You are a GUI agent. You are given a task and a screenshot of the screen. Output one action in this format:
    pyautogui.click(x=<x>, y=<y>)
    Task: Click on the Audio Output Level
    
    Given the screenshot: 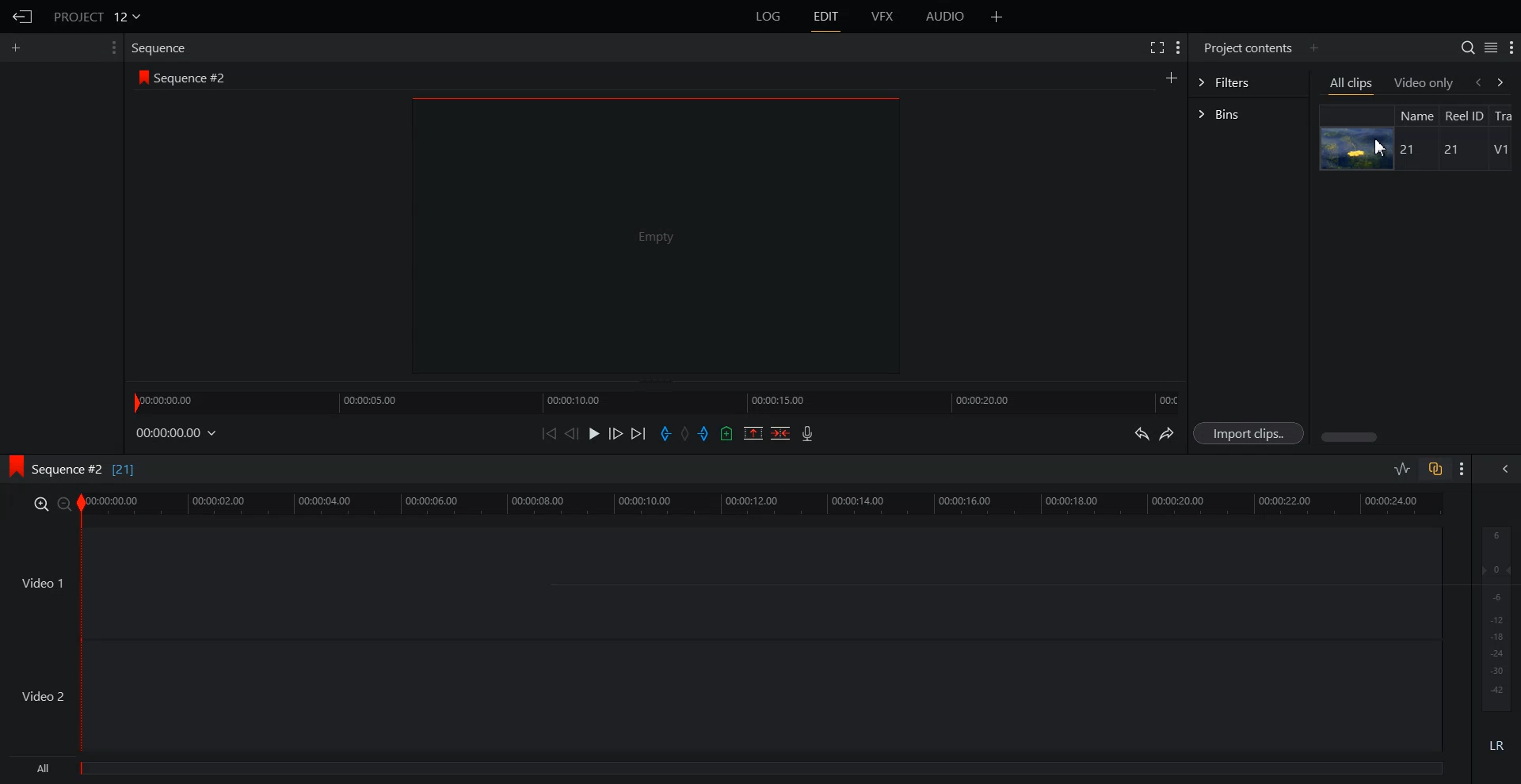 What is the action you would take?
    pyautogui.click(x=1493, y=615)
    